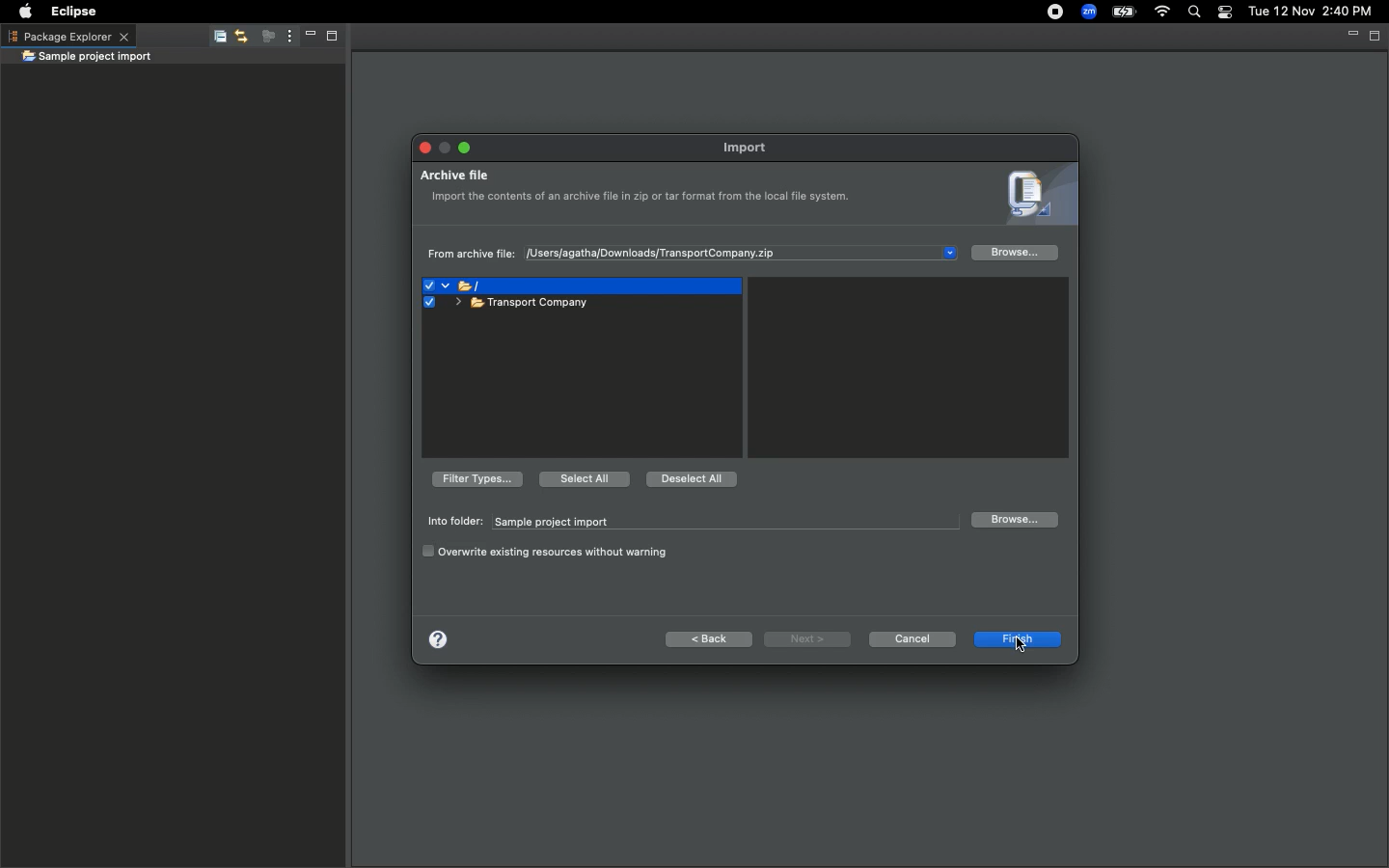  Describe the element at coordinates (437, 637) in the screenshot. I see `Help` at that location.